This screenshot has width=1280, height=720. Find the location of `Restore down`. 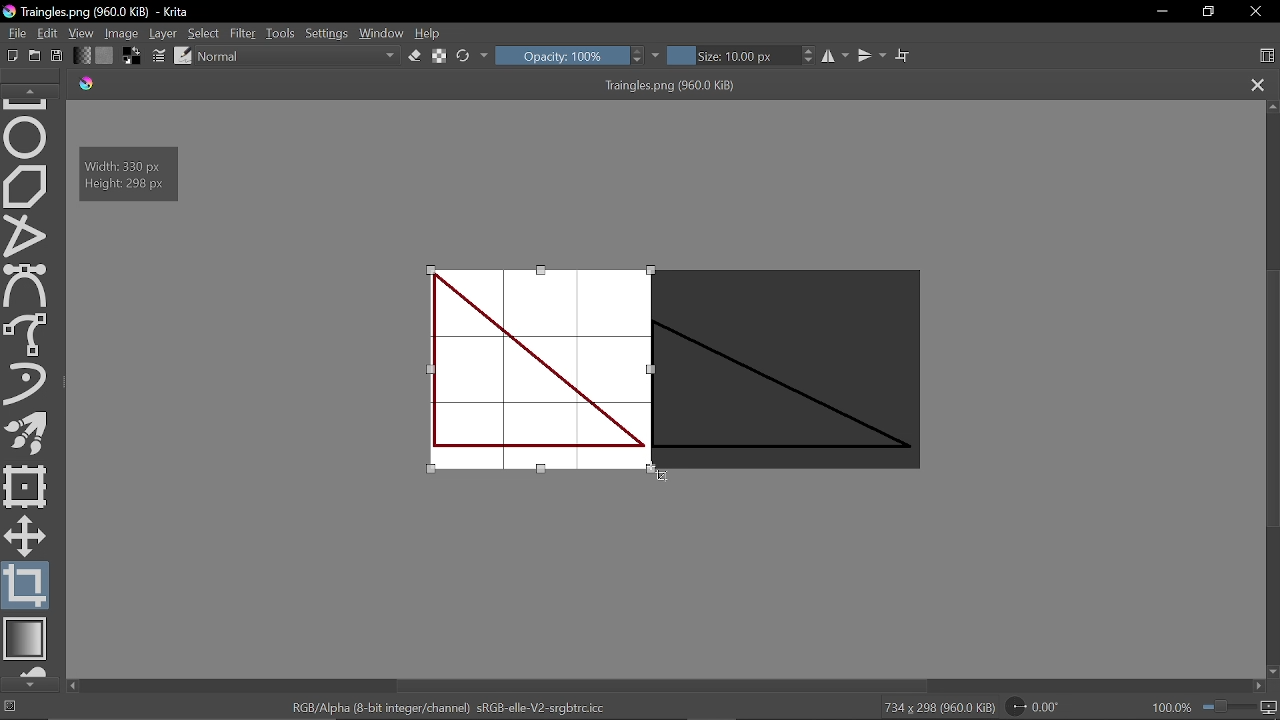

Restore down is located at coordinates (1209, 12).